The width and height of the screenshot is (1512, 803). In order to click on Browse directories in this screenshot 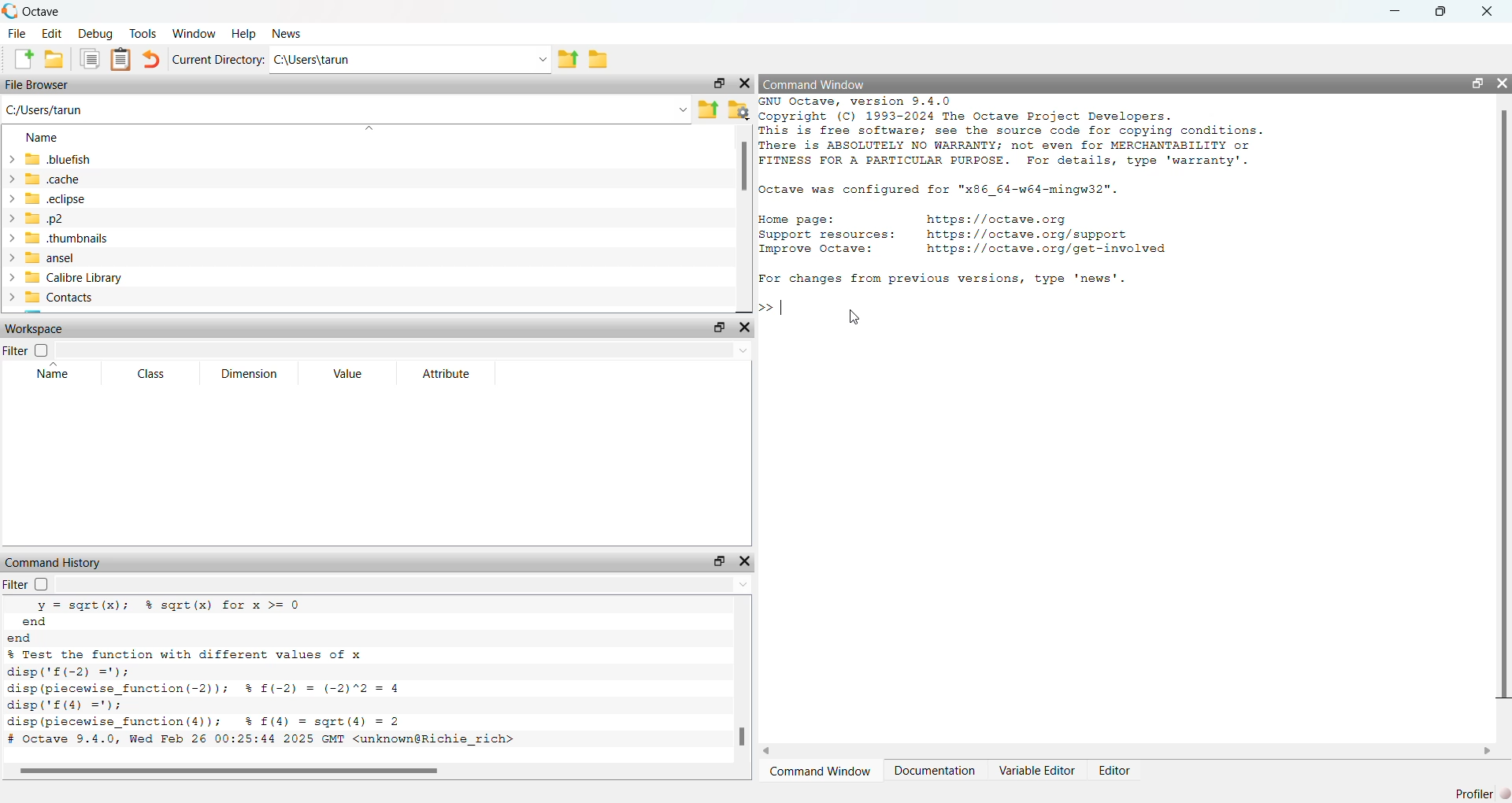, I will do `click(598, 59)`.